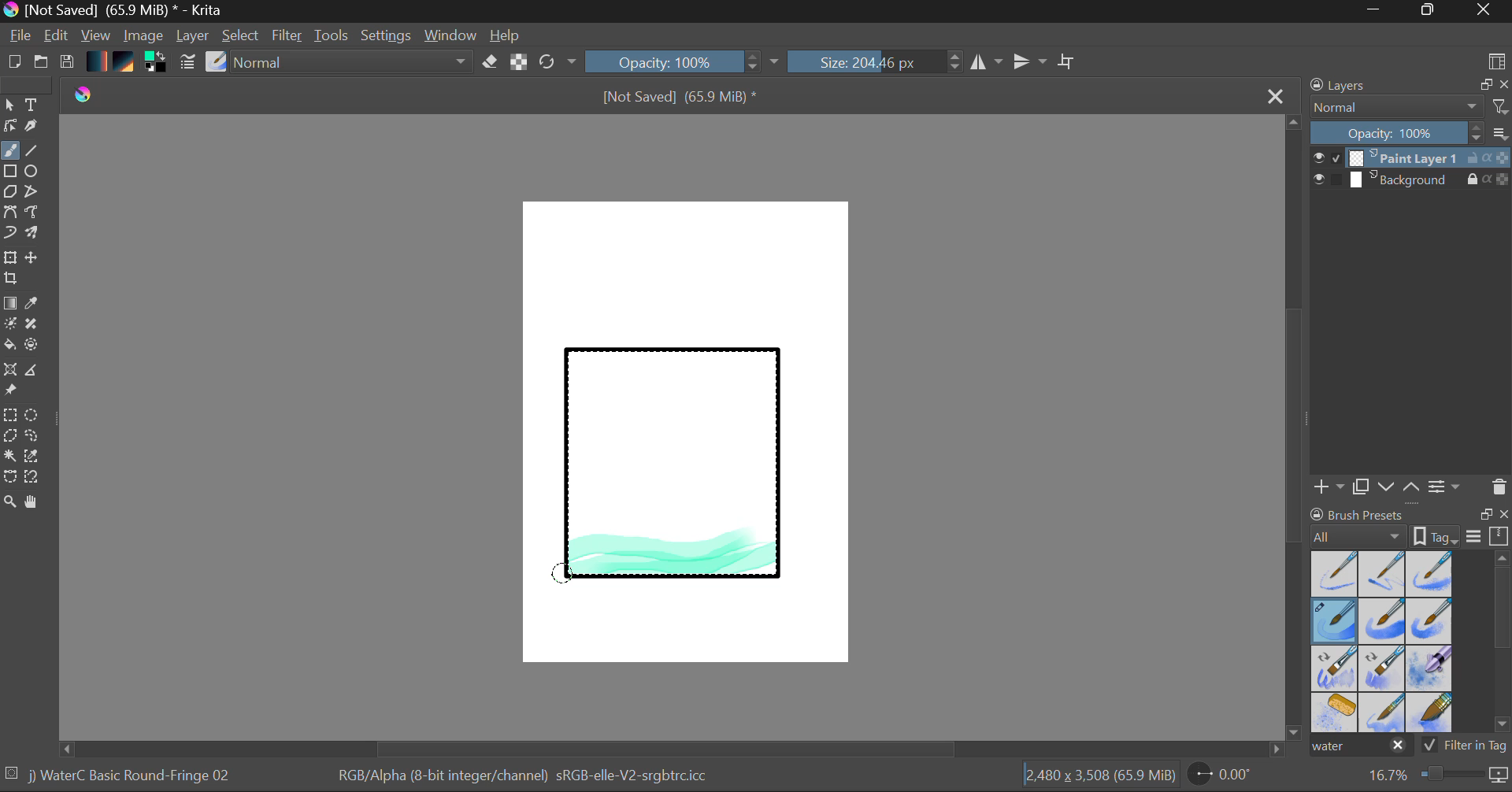 This screenshot has height=792, width=1512. What do you see at coordinates (1228, 777) in the screenshot?
I see `Page Rotation` at bounding box center [1228, 777].